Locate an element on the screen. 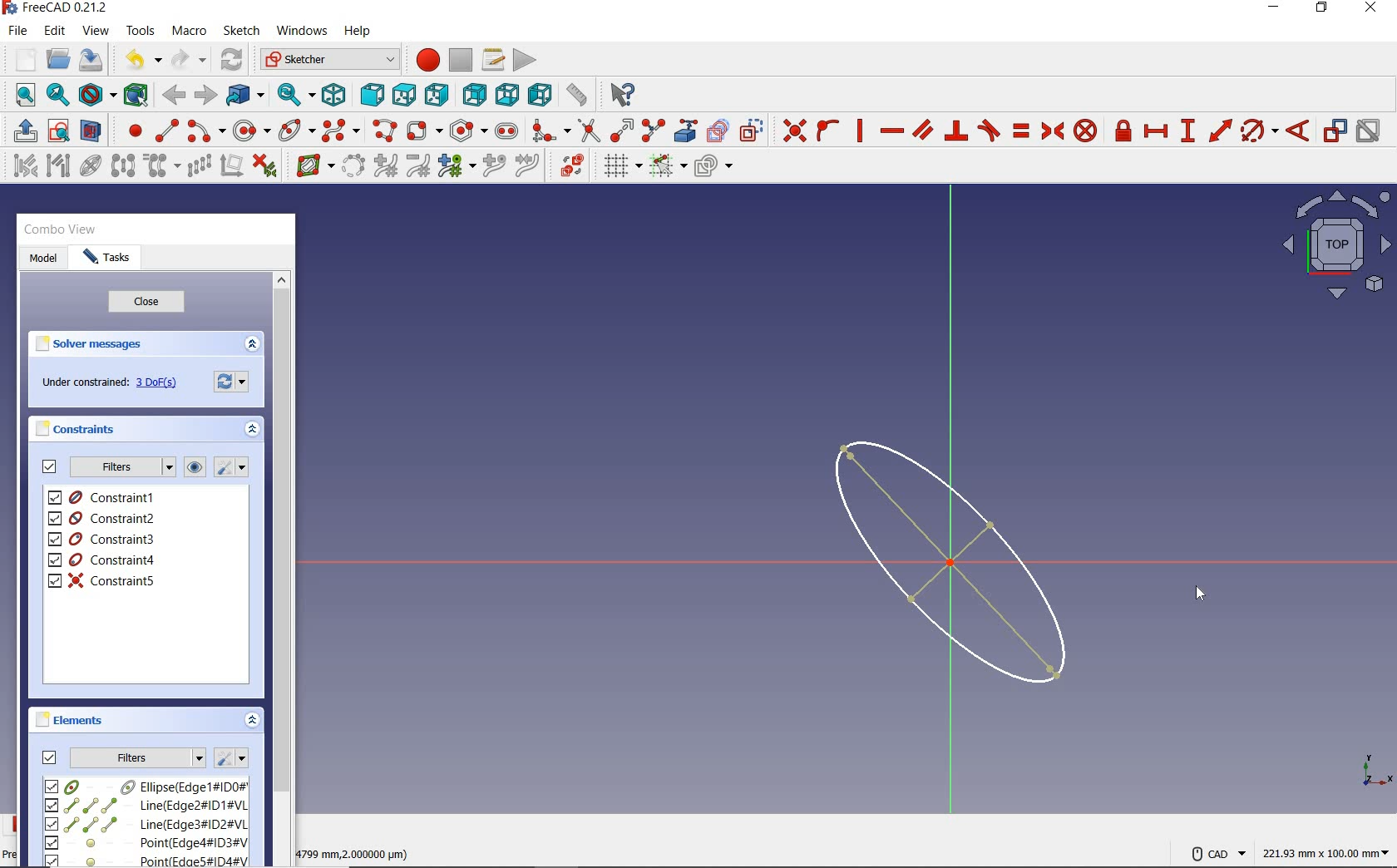  left is located at coordinates (541, 94).